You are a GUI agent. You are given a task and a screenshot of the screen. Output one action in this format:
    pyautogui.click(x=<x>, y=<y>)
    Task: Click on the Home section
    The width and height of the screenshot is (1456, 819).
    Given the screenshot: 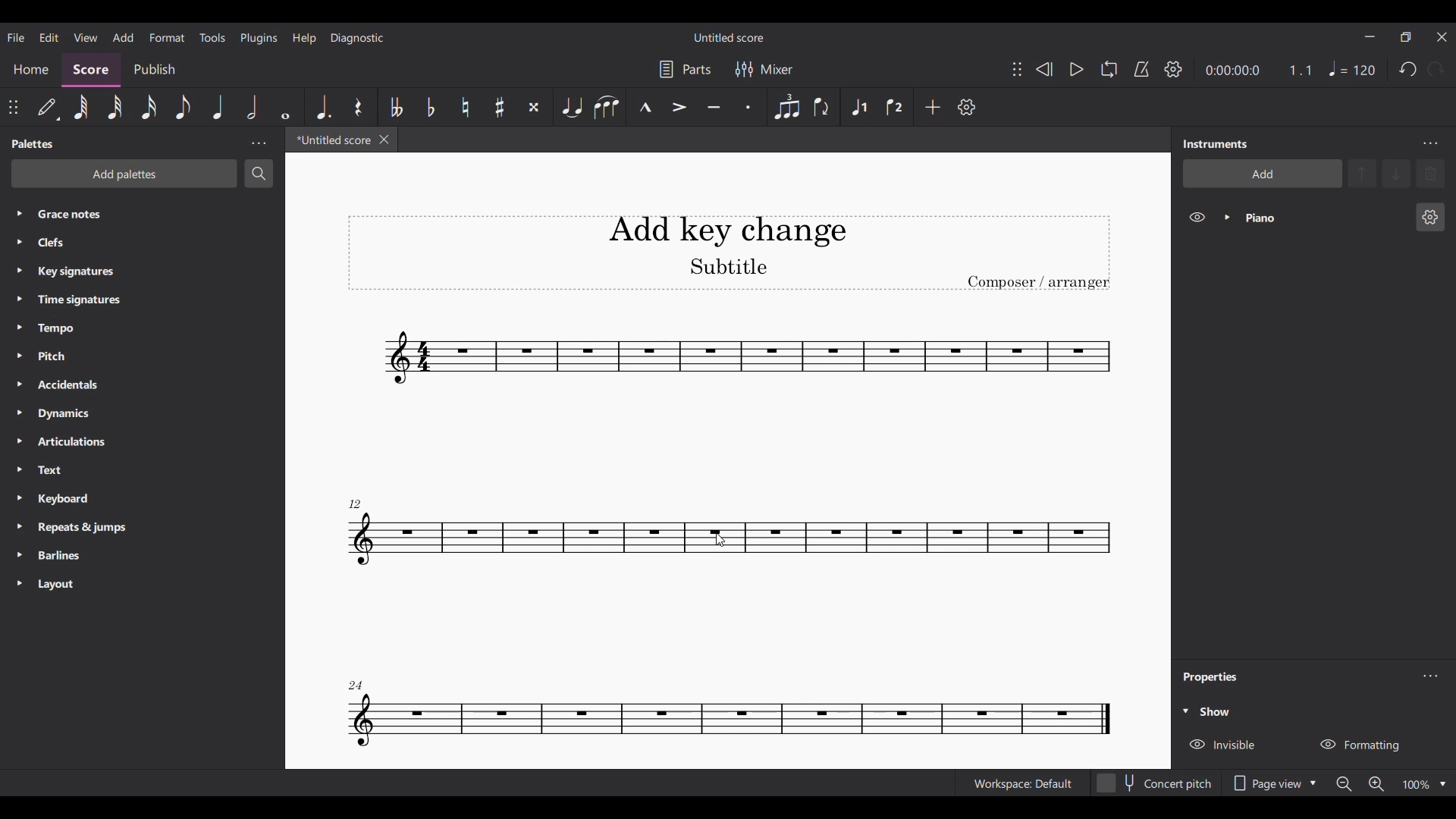 What is the action you would take?
    pyautogui.click(x=31, y=73)
    